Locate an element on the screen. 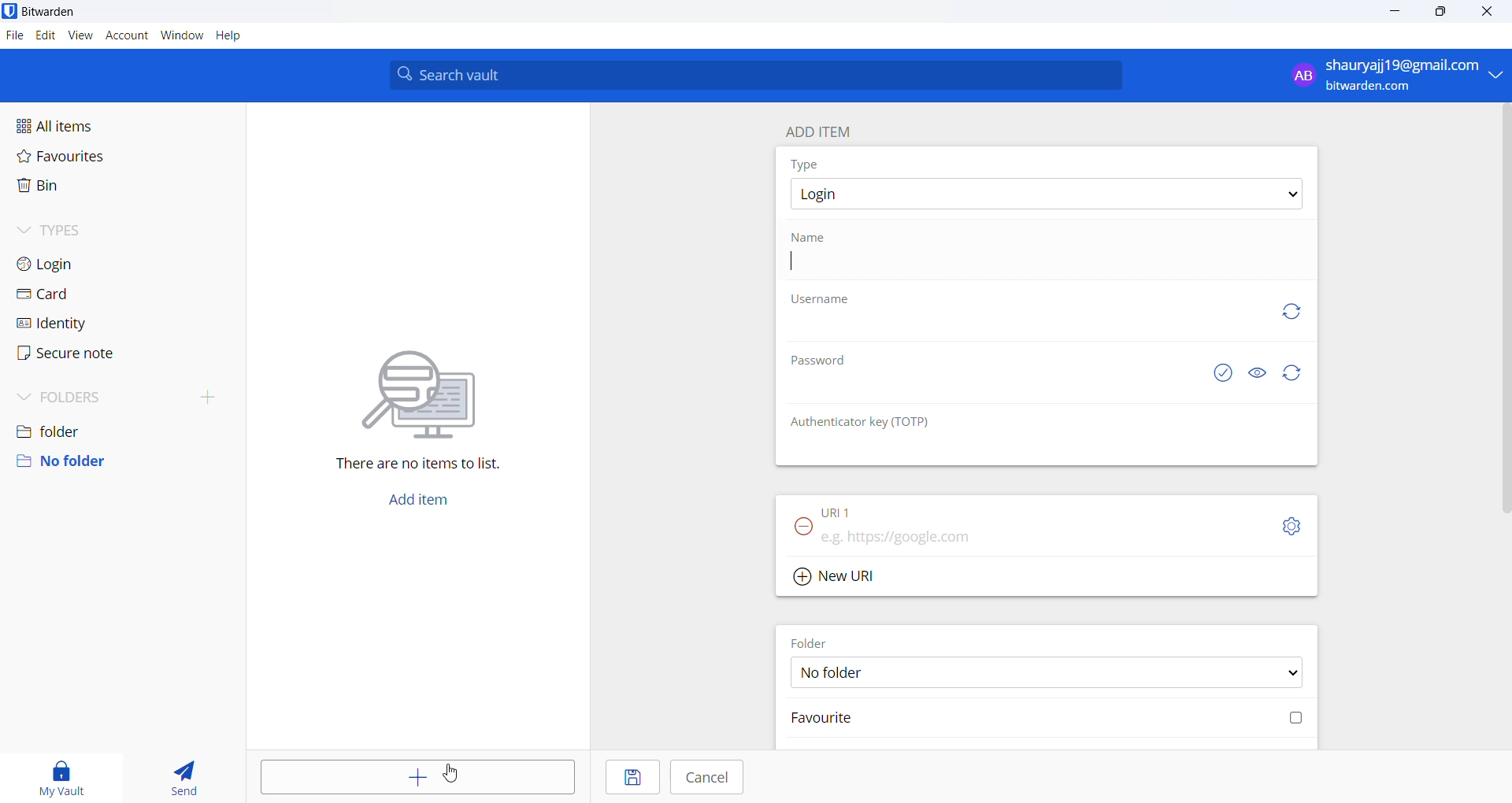  card is located at coordinates (82, 294).